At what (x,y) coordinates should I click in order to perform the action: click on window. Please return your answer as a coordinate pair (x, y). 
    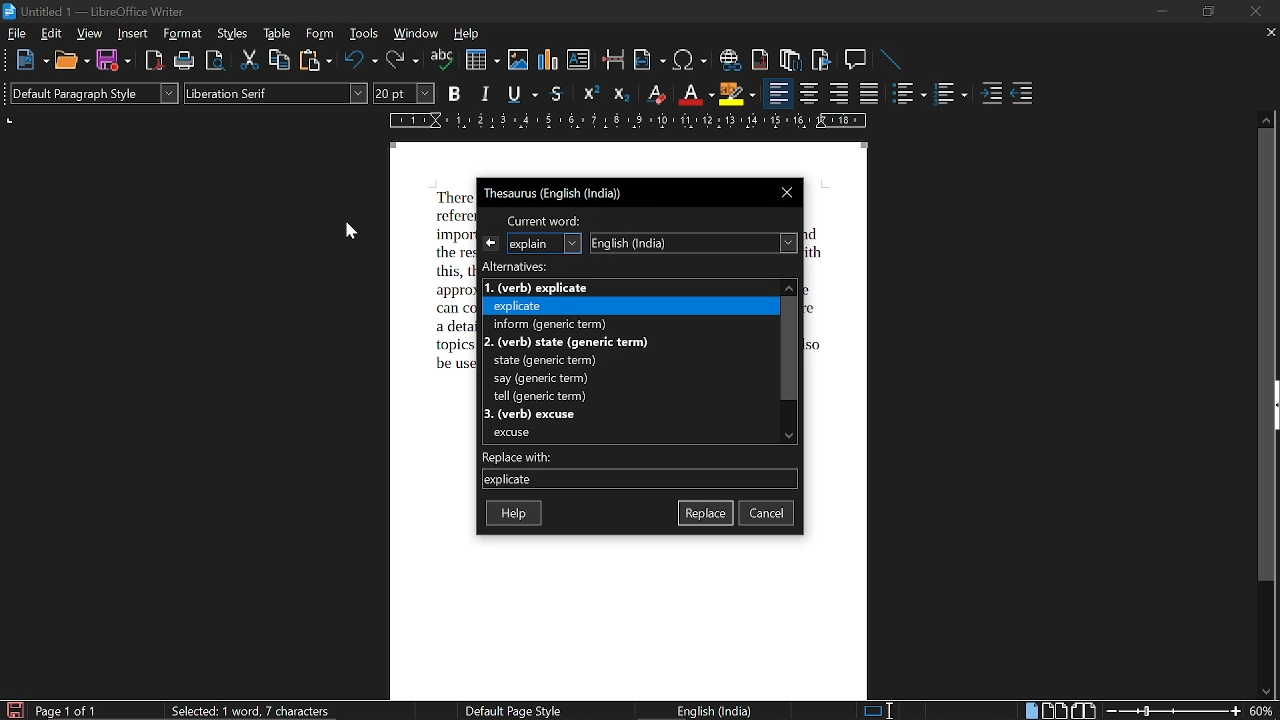
    Looking at the image, I should click on (416, 35).